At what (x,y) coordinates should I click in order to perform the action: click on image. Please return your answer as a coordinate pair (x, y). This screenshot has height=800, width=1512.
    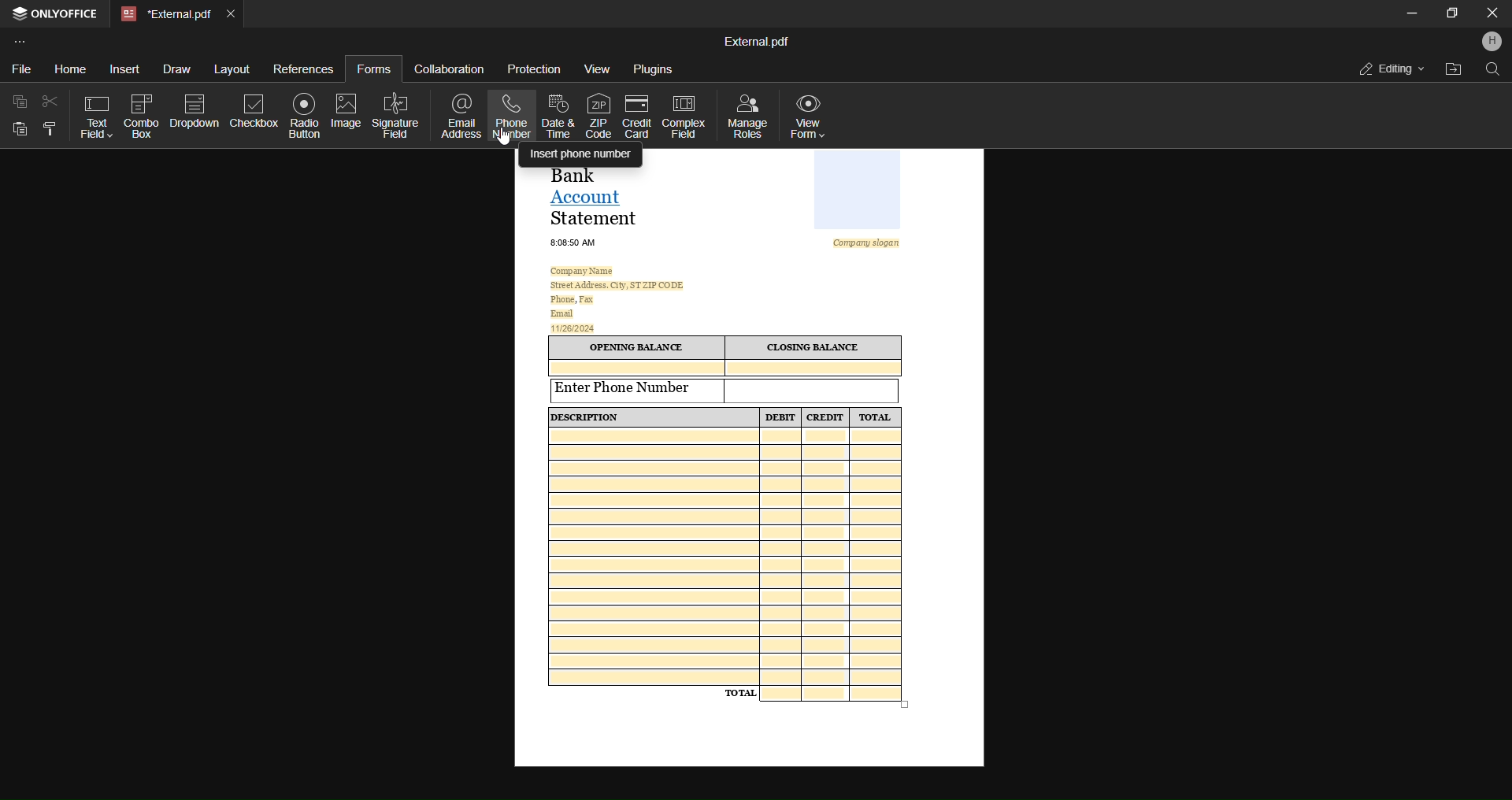
    Looking at the image, I should click on (346, 112).